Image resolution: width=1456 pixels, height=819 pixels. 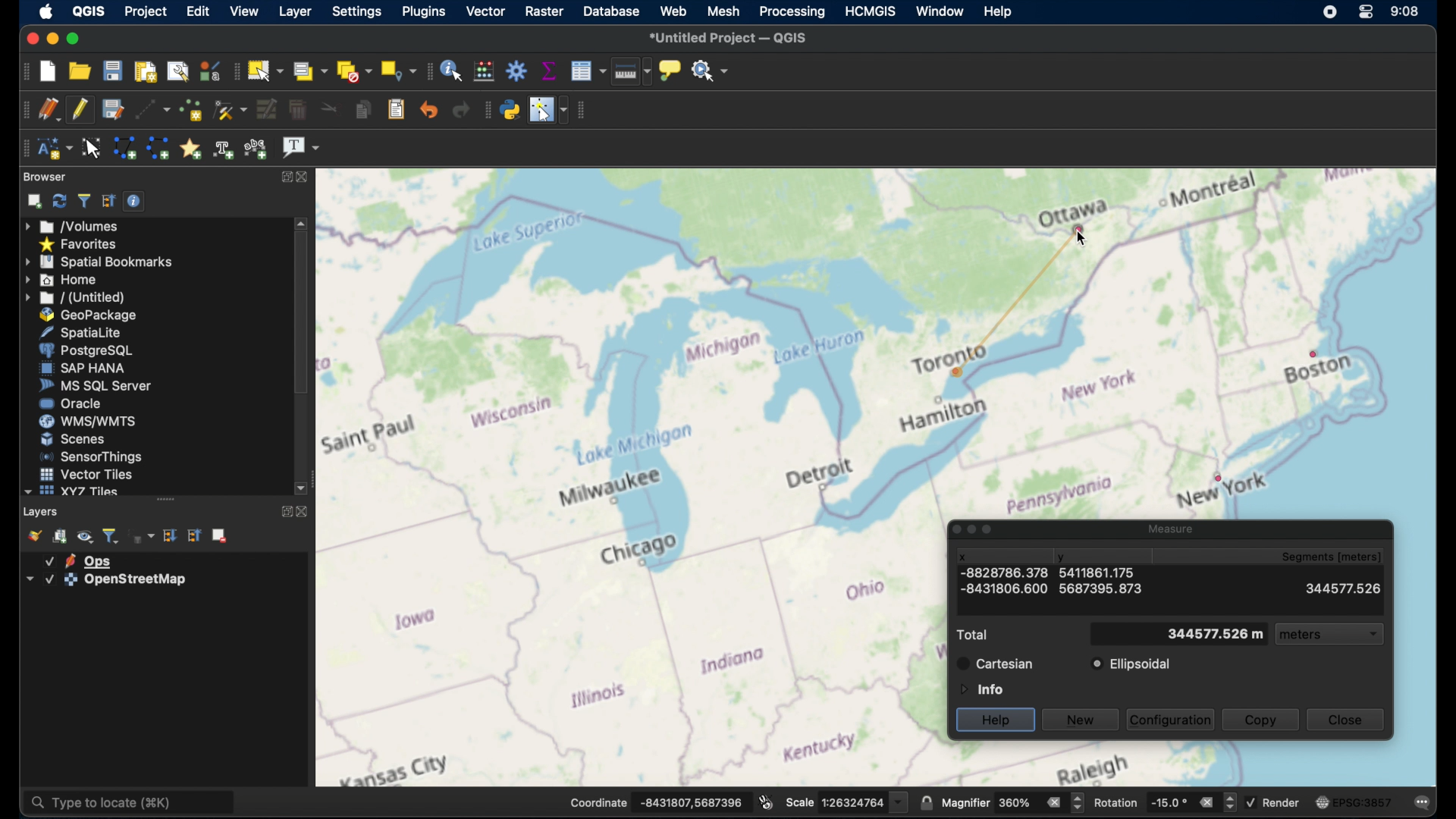 What do you see at coordinates (995, 663) in the screenshot?
I see `cartesian` at bounding box center [995, 663].